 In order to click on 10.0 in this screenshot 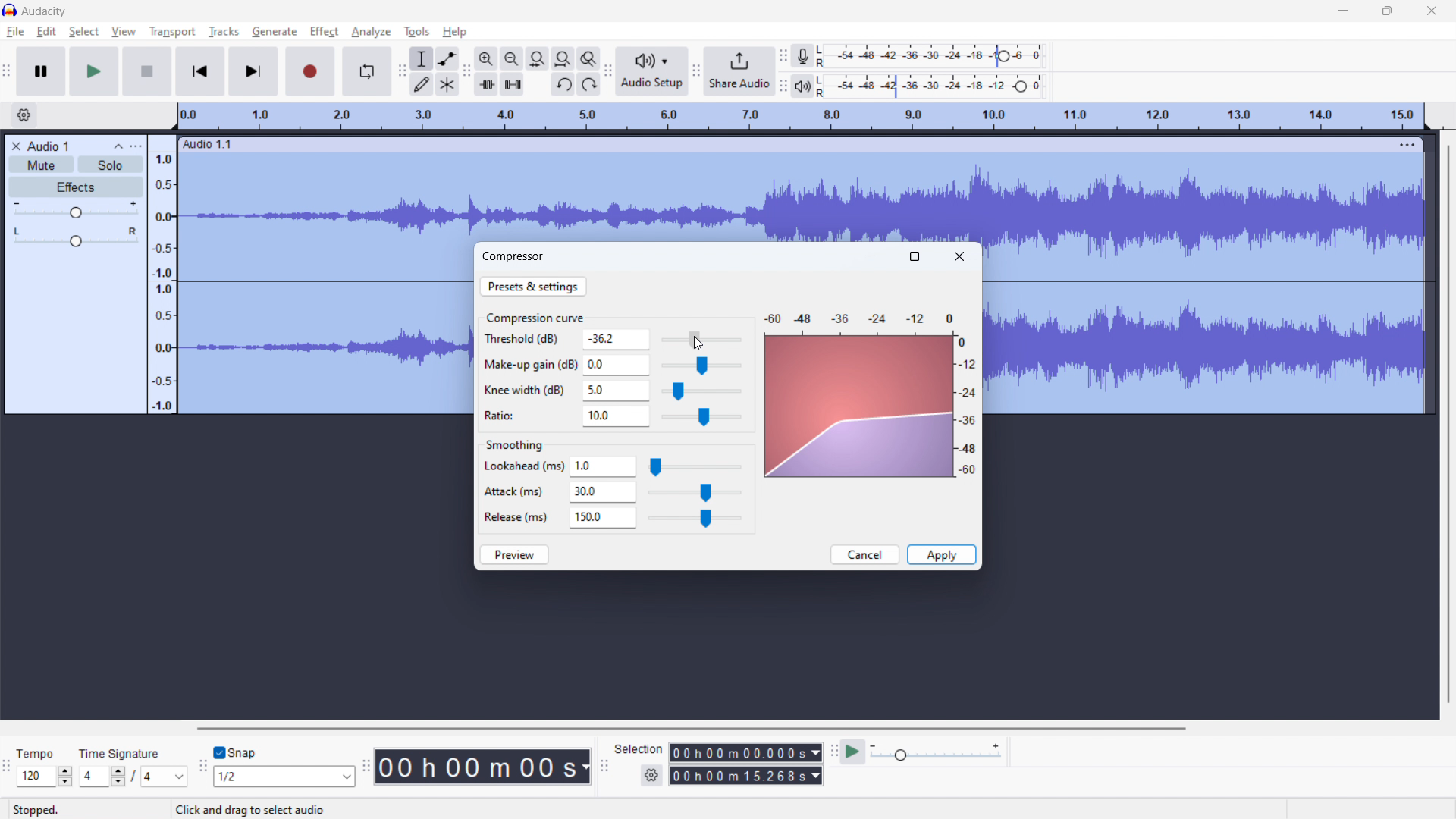, I will do `click(616, 417)`.